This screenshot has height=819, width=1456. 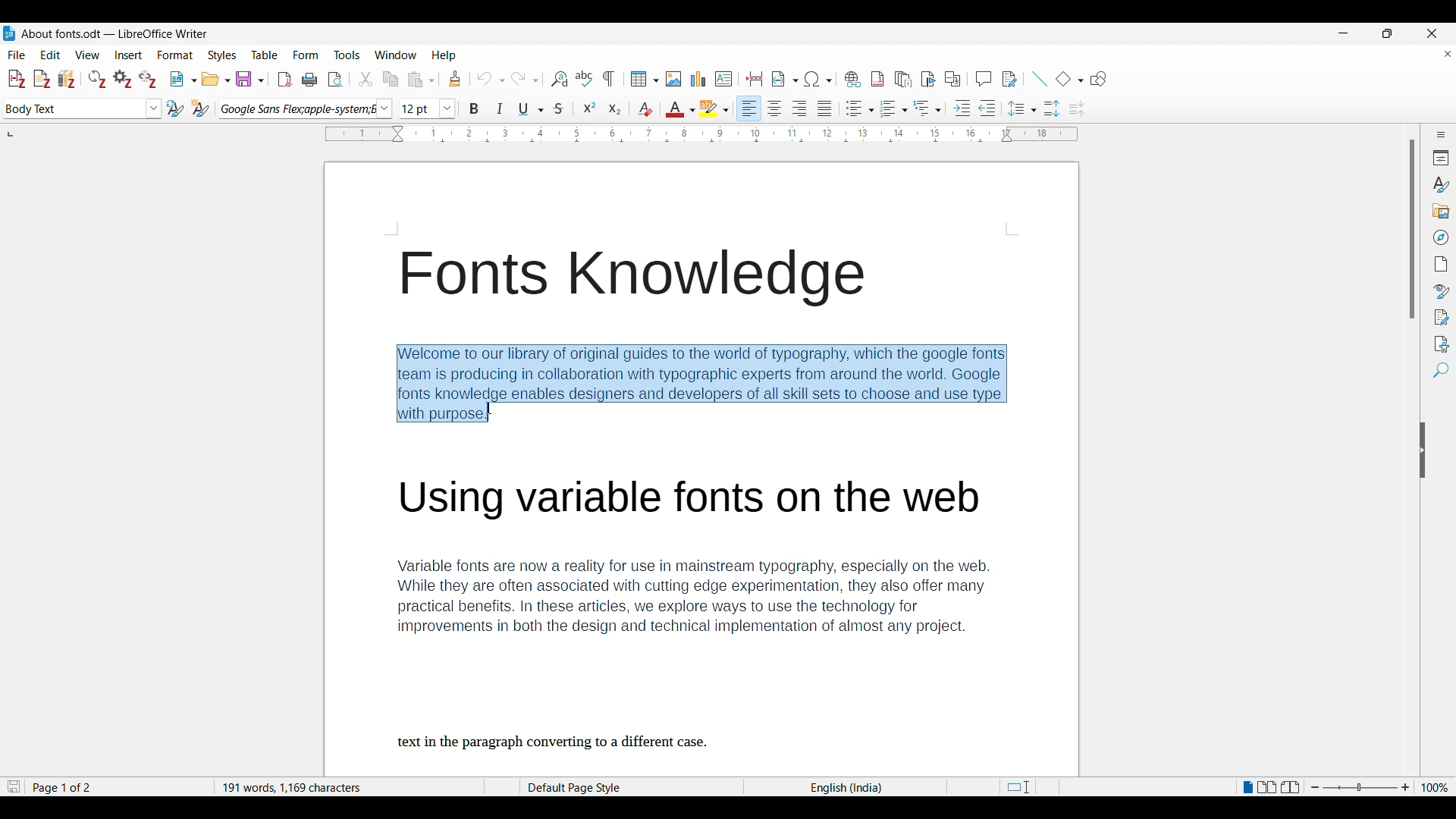 What do you see at coordinates (1413, 229) in the screenshot?
I see `Vertical slide bar` at bounding box center [1413, 229].